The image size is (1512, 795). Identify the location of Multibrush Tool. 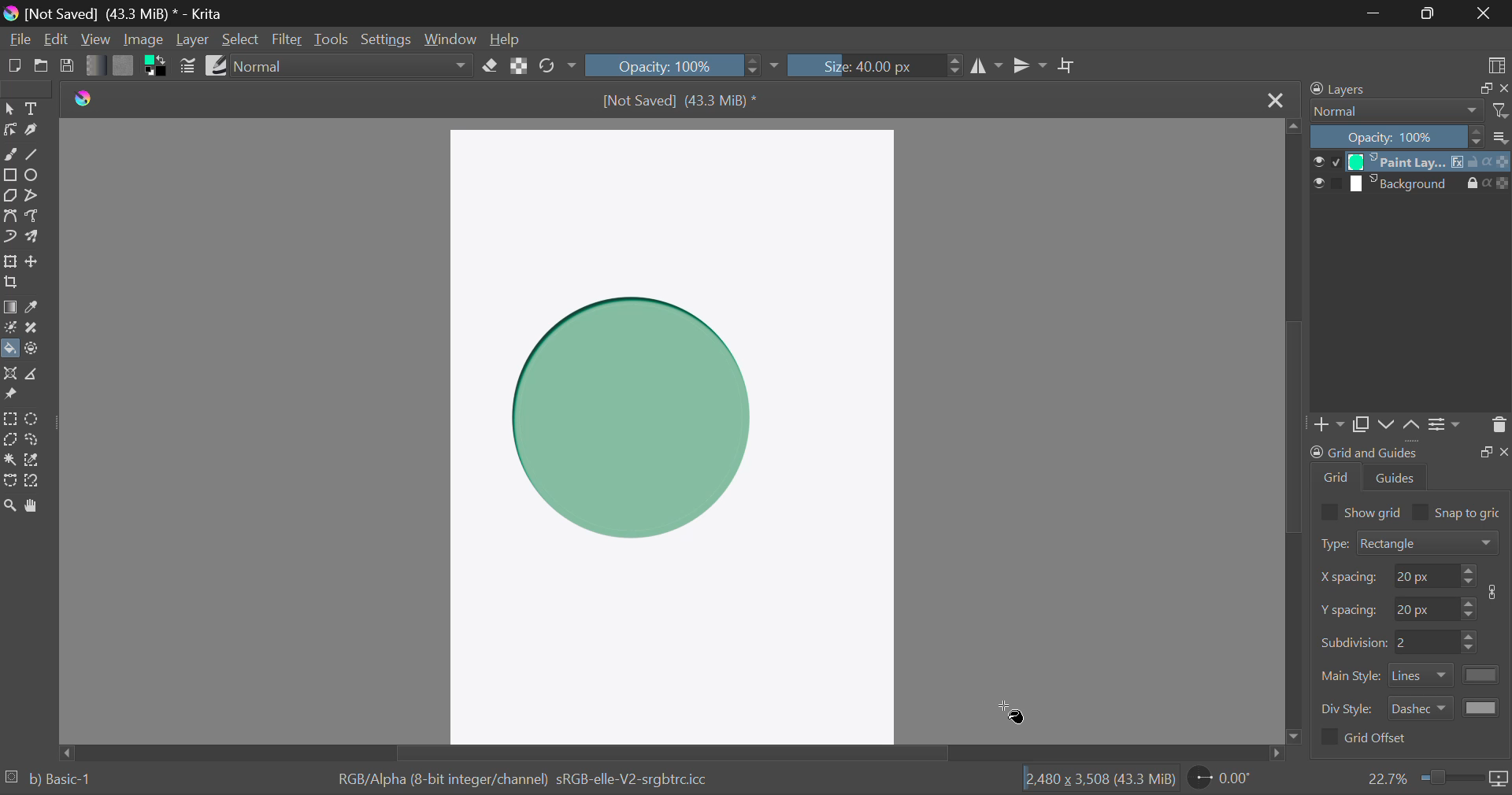
(35, 238).